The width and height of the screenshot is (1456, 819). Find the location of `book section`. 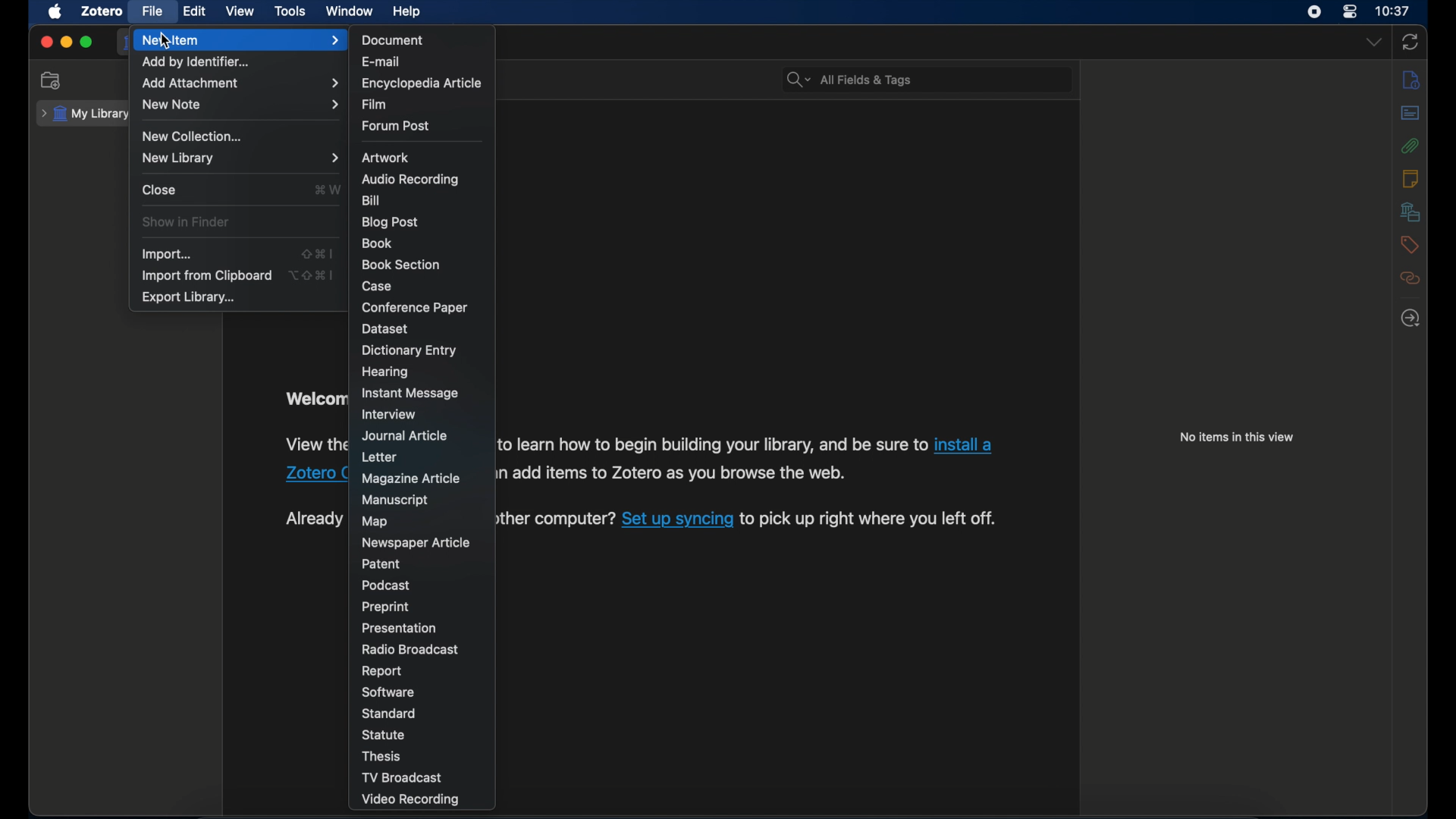

book section is located at coordinates (402, 265).